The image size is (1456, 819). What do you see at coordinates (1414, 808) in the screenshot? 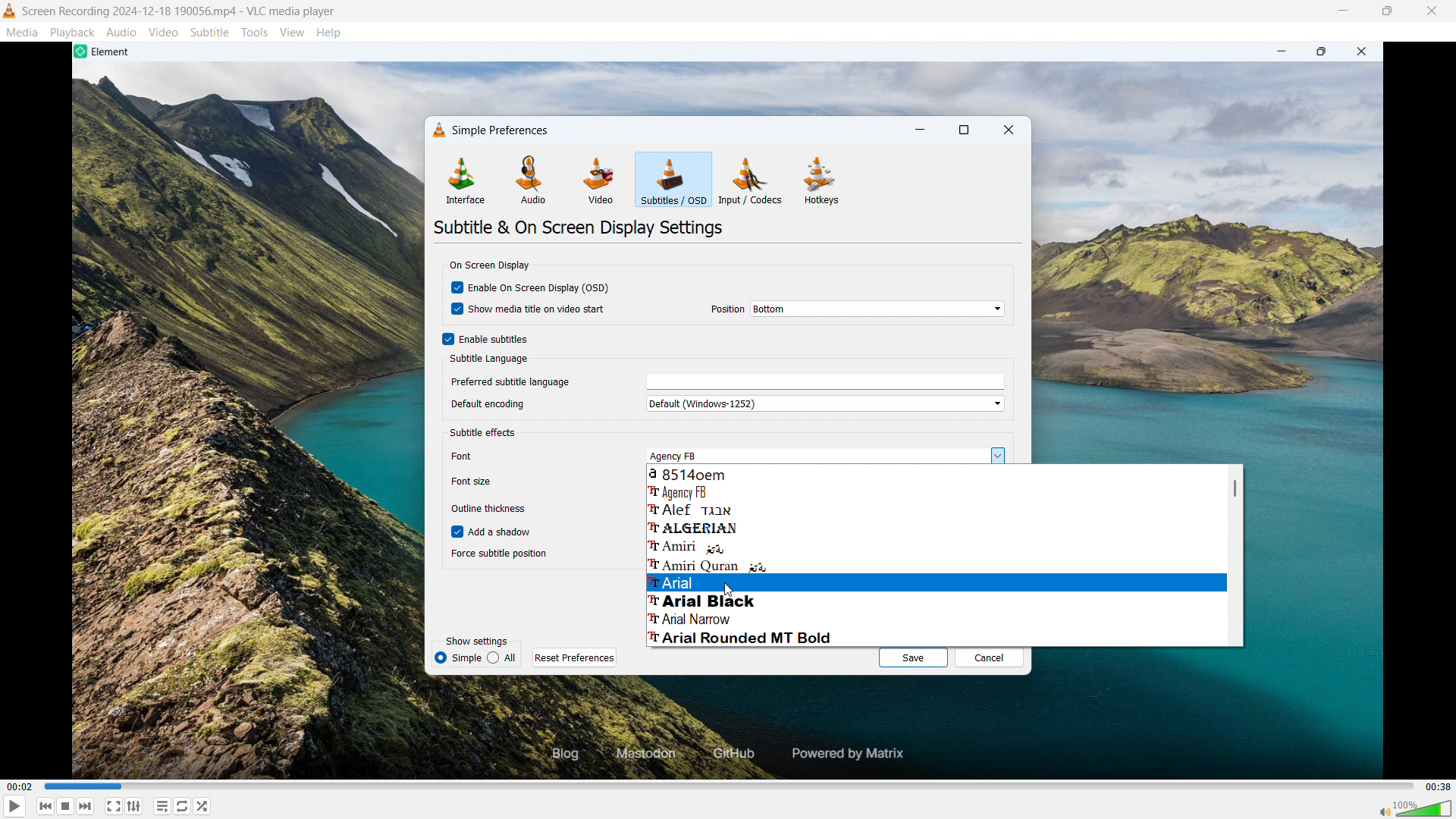
I see `sound bar` at bounding box center [1414, 808].